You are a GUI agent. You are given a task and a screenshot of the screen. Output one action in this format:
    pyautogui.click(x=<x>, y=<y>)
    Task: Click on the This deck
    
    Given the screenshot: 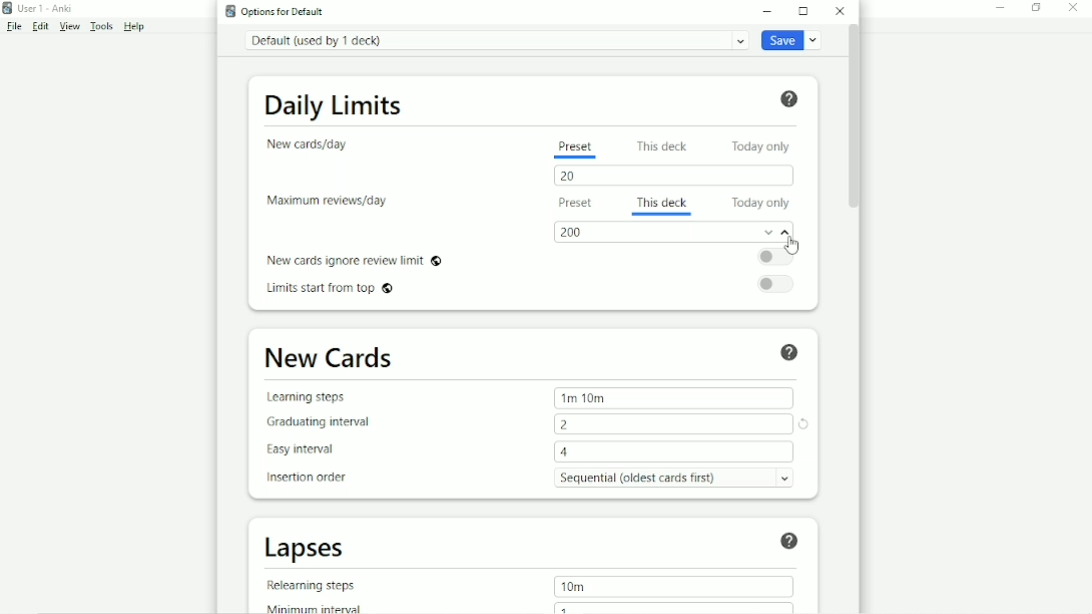 What is the action you would take?
    pyautogui.click(x=663, y=200)
    